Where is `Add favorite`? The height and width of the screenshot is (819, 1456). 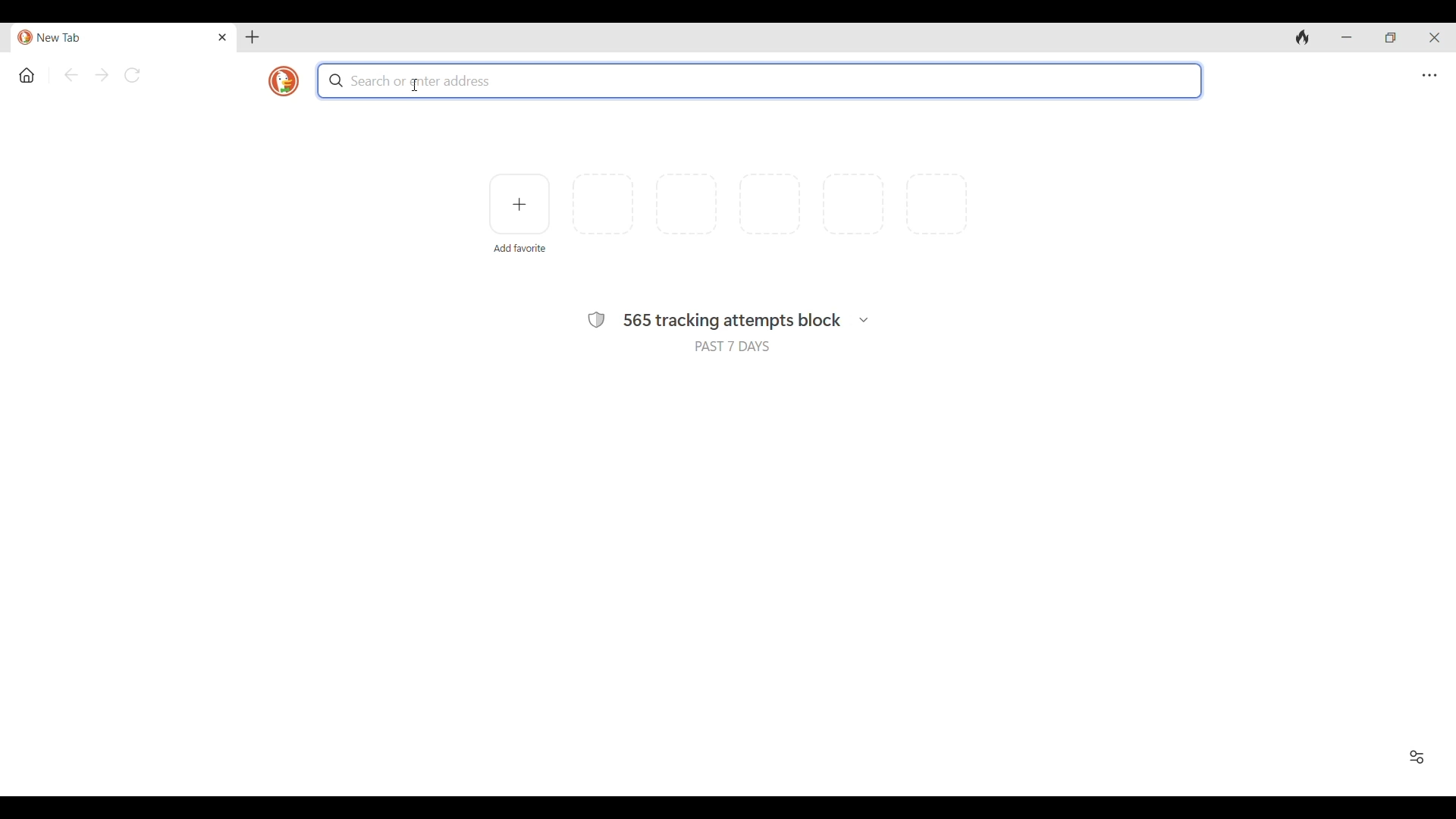
Add favorite is located at coordinates (520, 249).